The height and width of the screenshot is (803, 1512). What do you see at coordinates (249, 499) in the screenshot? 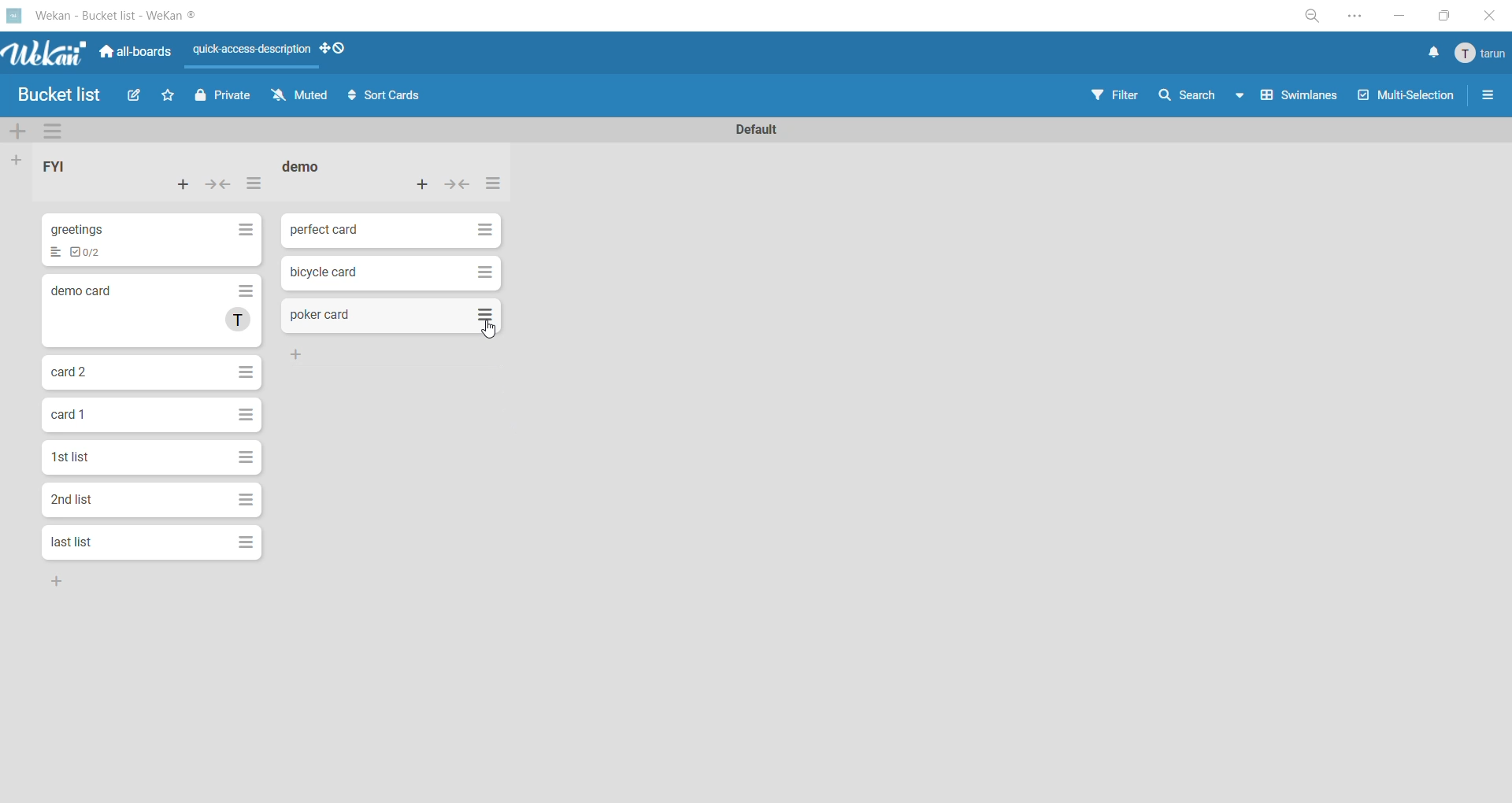
I see `Hamburger` at bounding box center [249, 499].